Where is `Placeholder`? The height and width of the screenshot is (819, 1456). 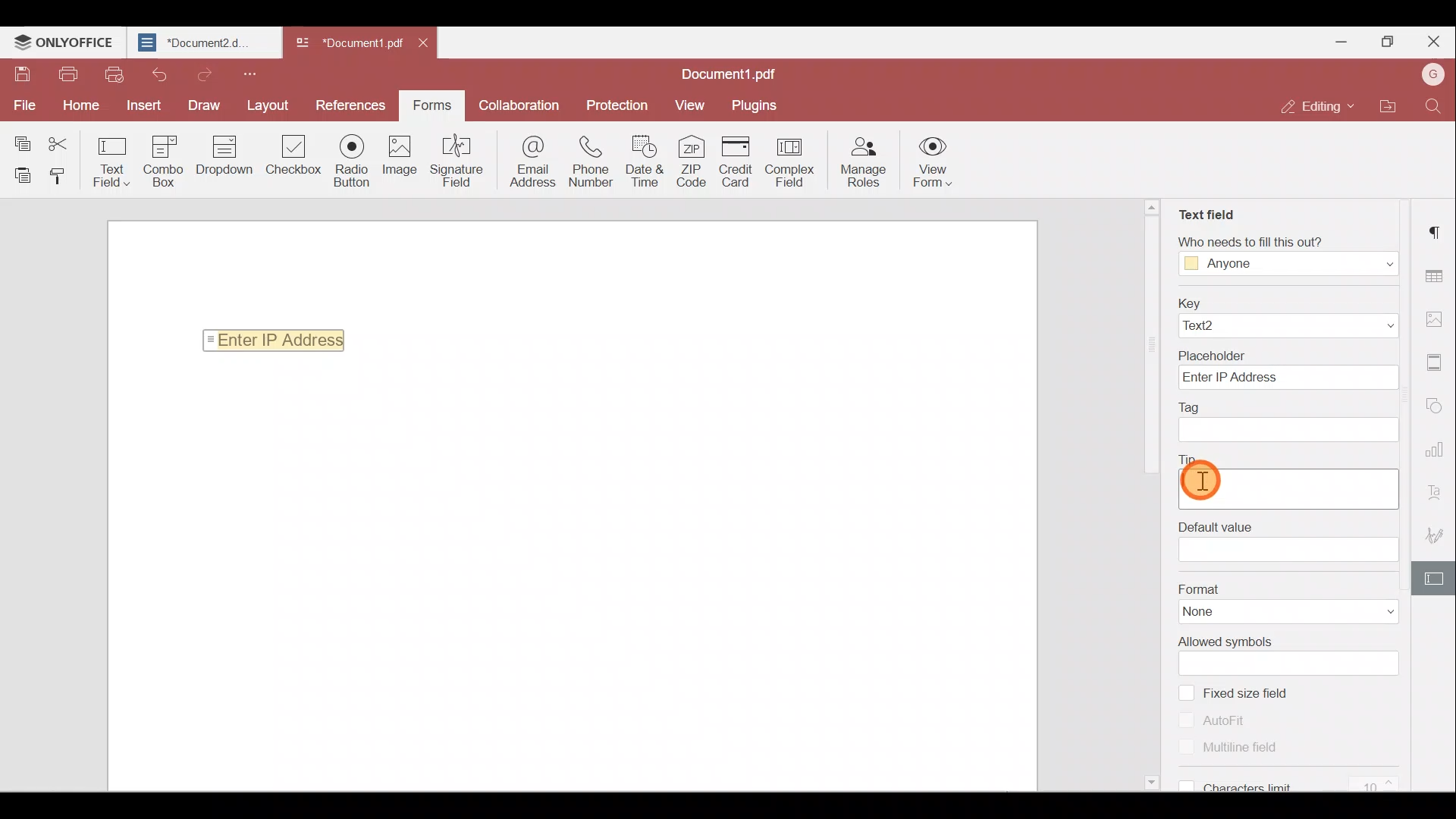 Placeholder is located at coordinates (1287, 353).